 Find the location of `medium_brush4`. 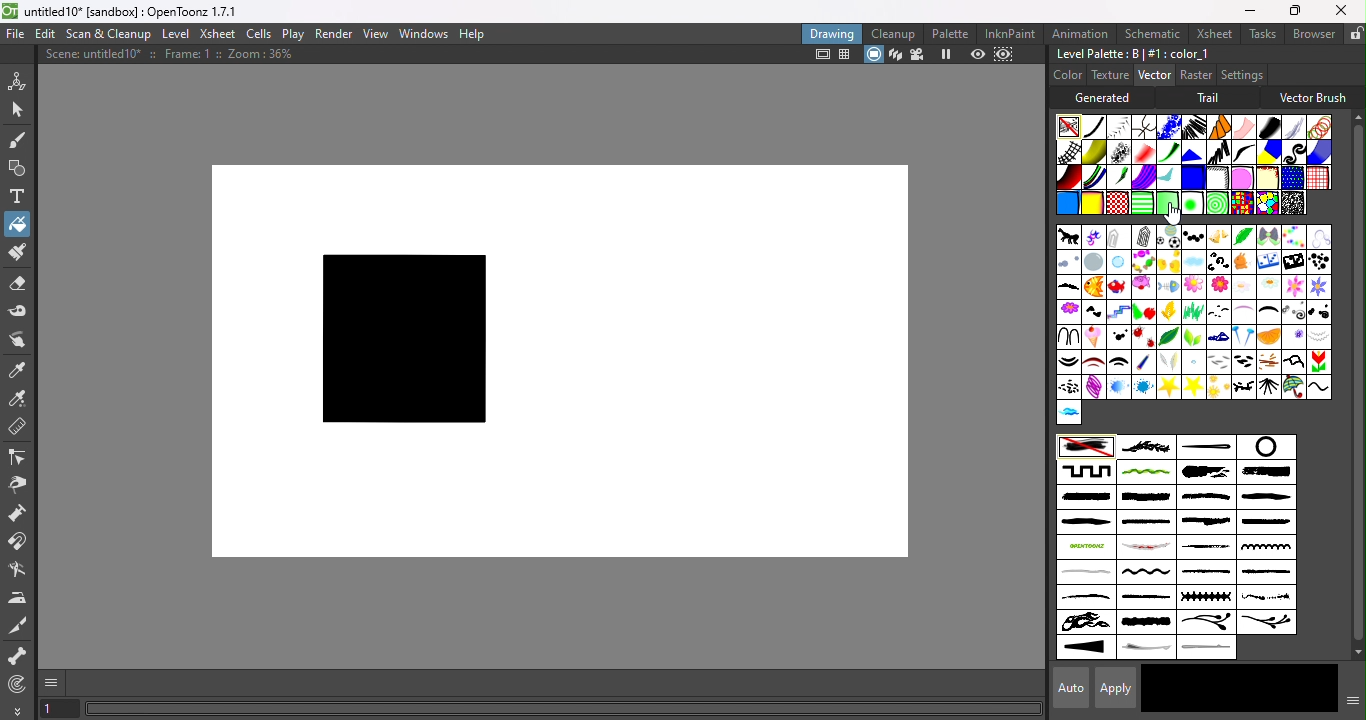

medium_brush4 is located at coordinates (1146, 523).